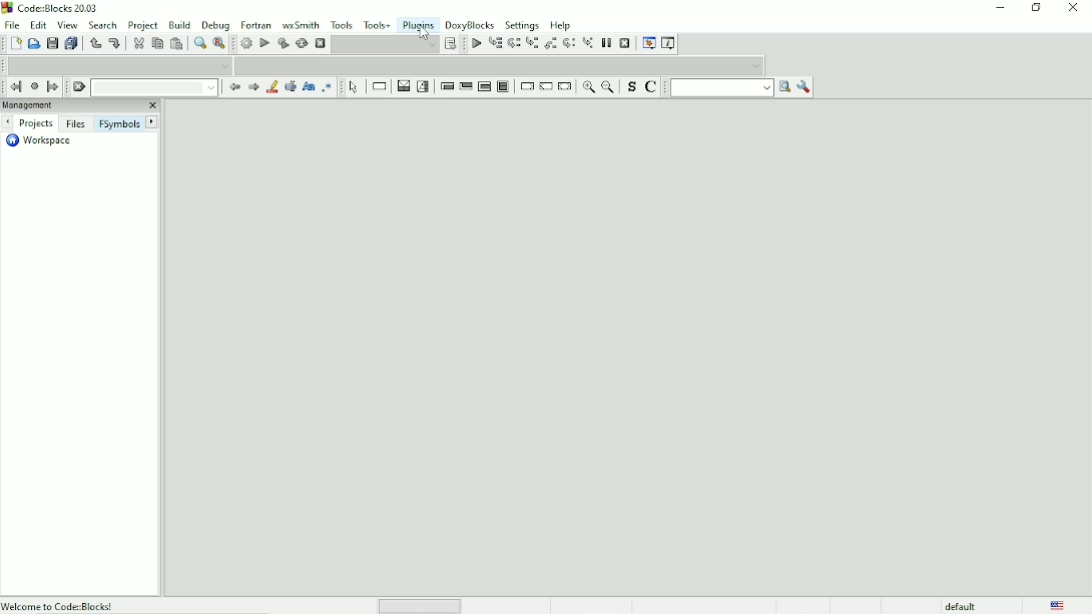 This screenshot has height=614, width=1092. I want to click on Counting loop, so click(484, 87).